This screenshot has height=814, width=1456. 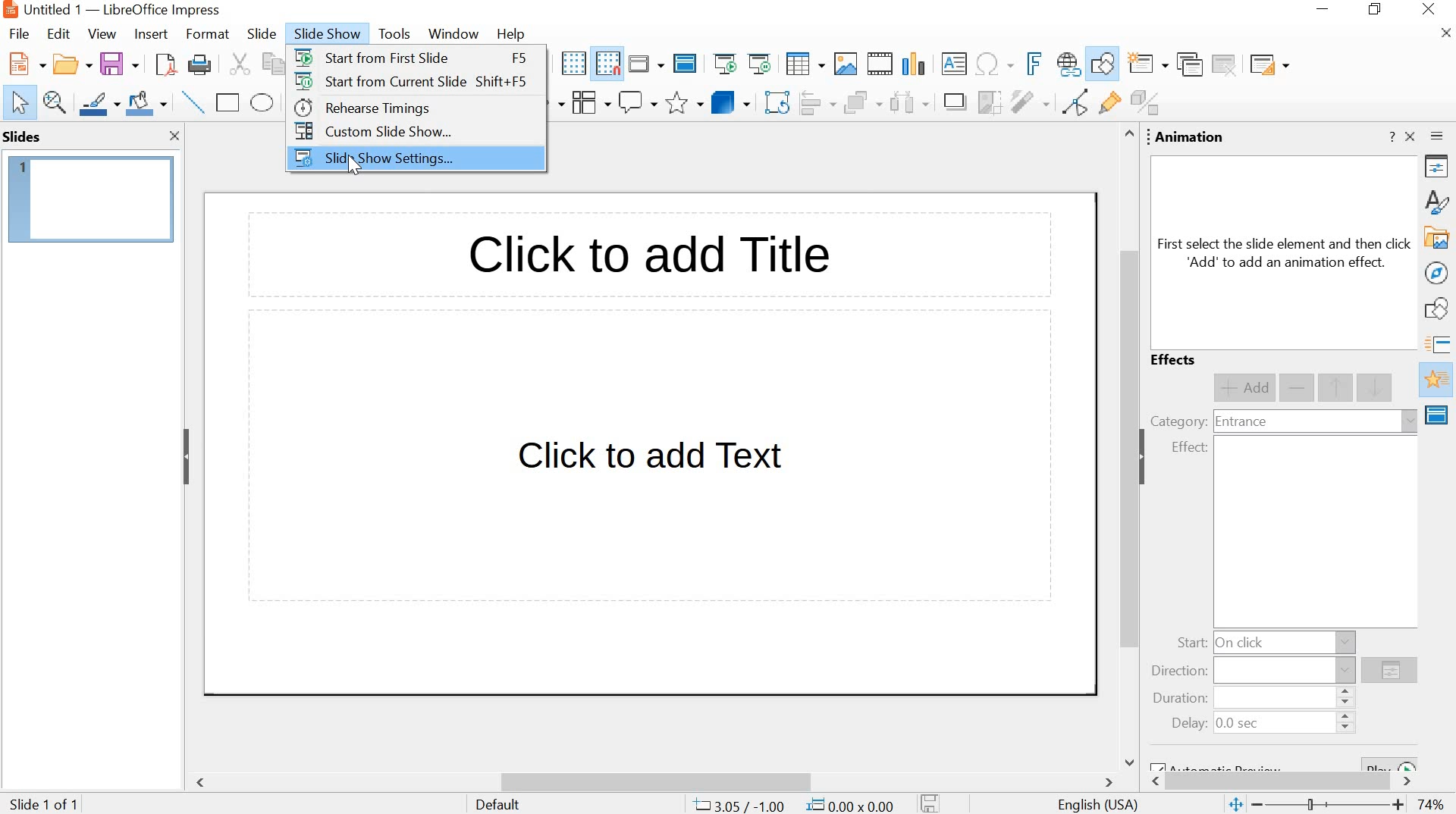 What do you see at coordinates (1389, 672) in the screenshot?
I see `options` at bounding box center [1389, 672].